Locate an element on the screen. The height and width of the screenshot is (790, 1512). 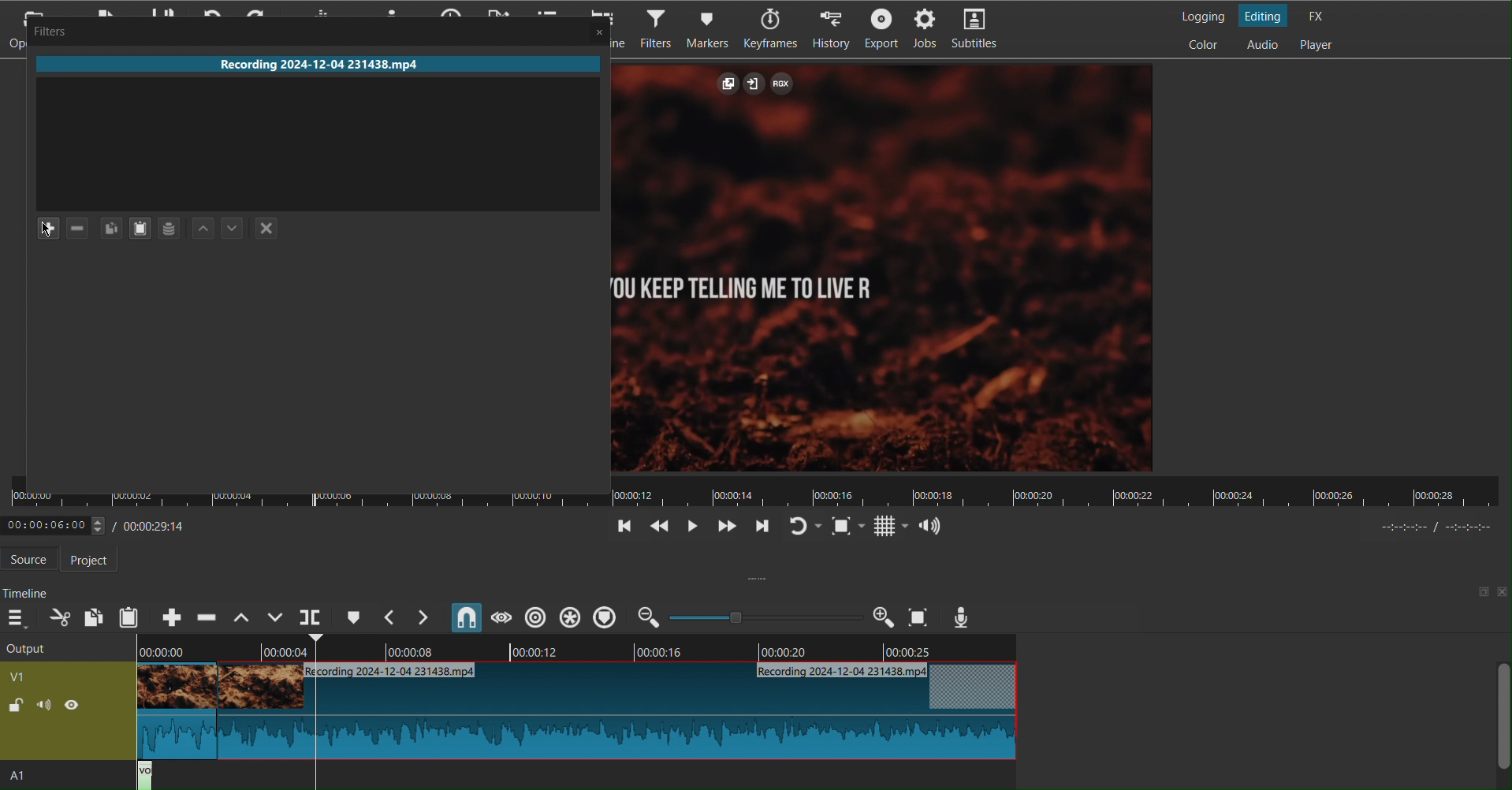
Snap is located at coordinates (467, 617).